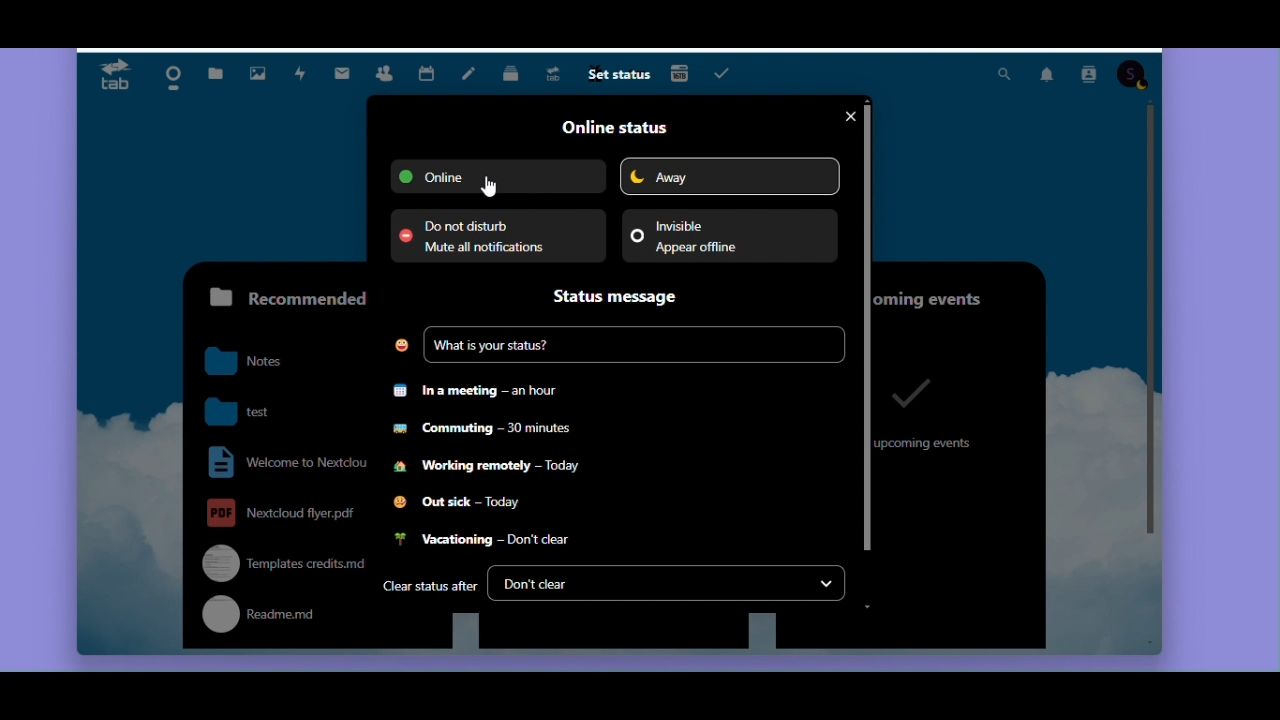  Describe the element at coordinates (384, 71) in the screenshot. I see `Contacts` at that location.